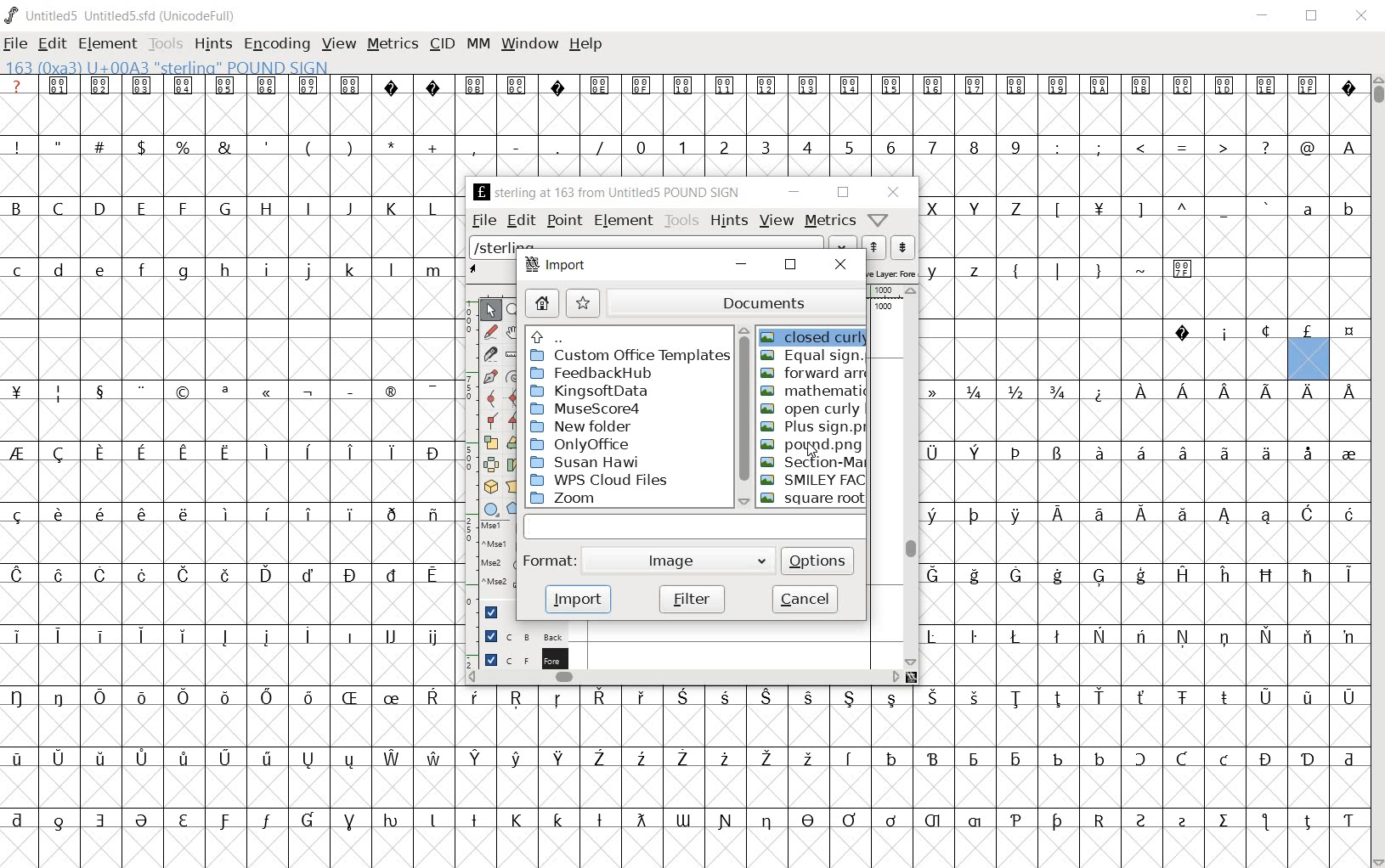  What do you see at coordinates (517, 699) in the screenshot?
I see `Symbol` at bounding box center [517, 699].